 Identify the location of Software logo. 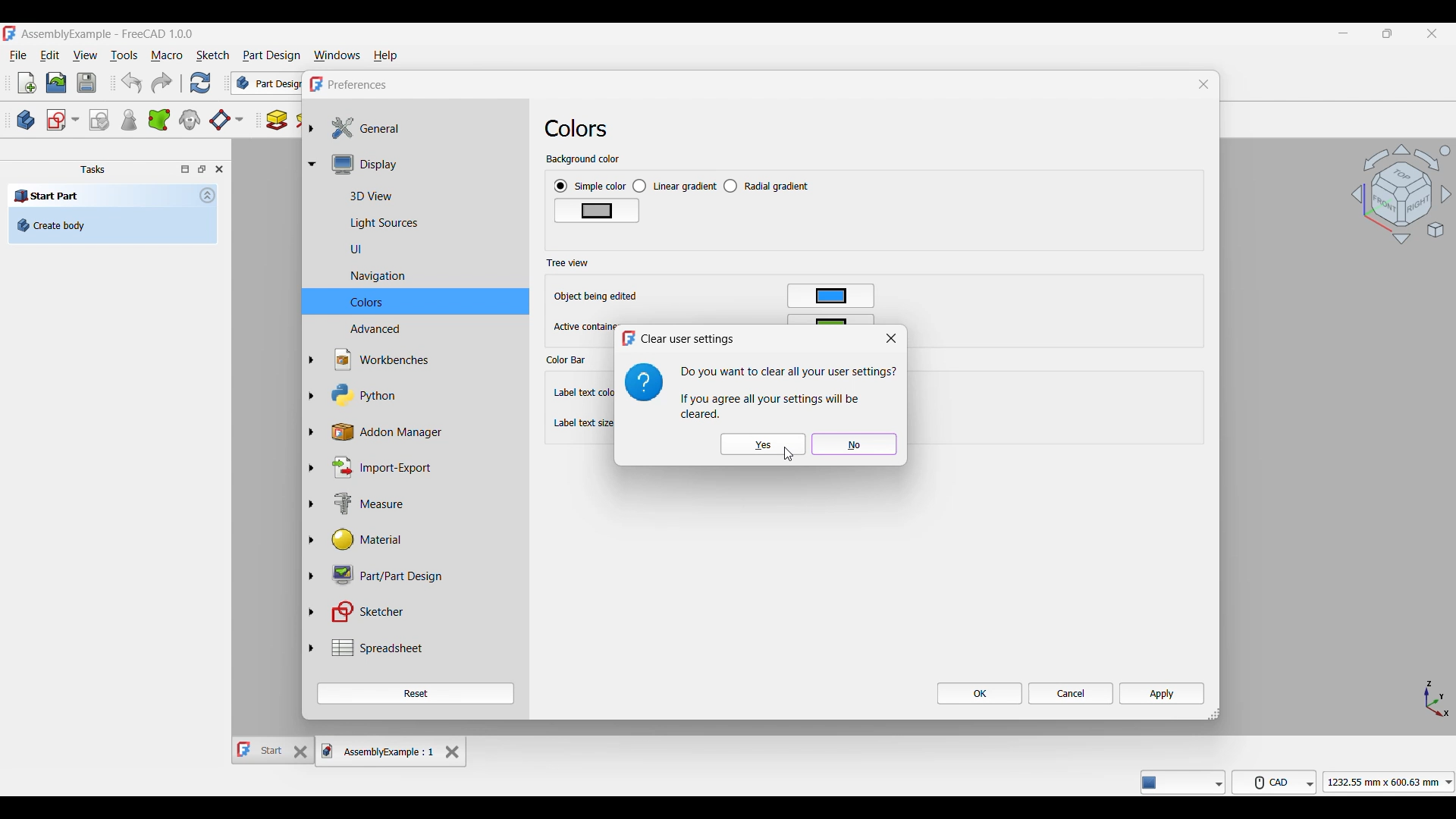
(9, 33).